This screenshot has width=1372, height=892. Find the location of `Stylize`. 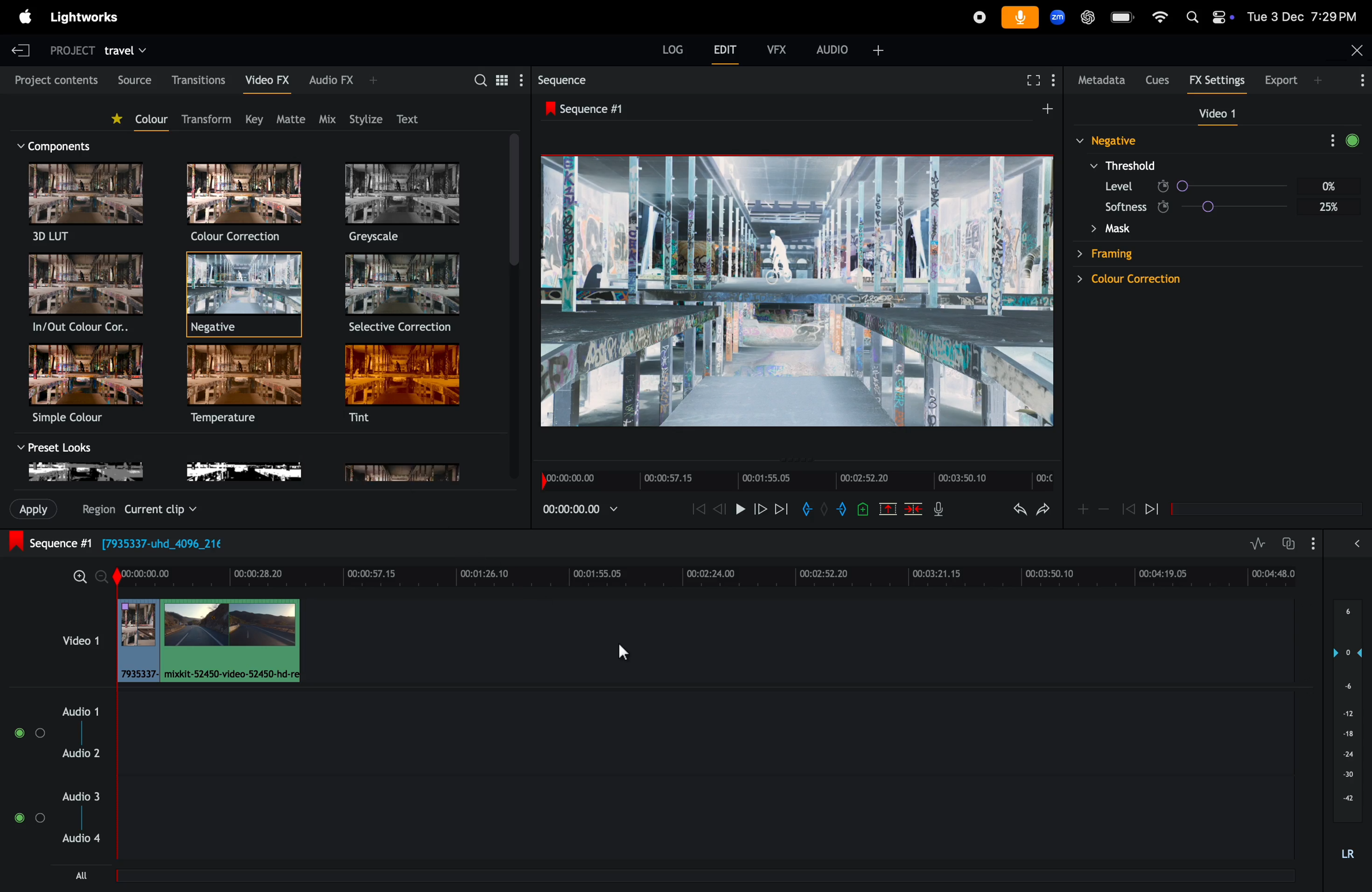

Stylize is located at coordinates (365, 115).